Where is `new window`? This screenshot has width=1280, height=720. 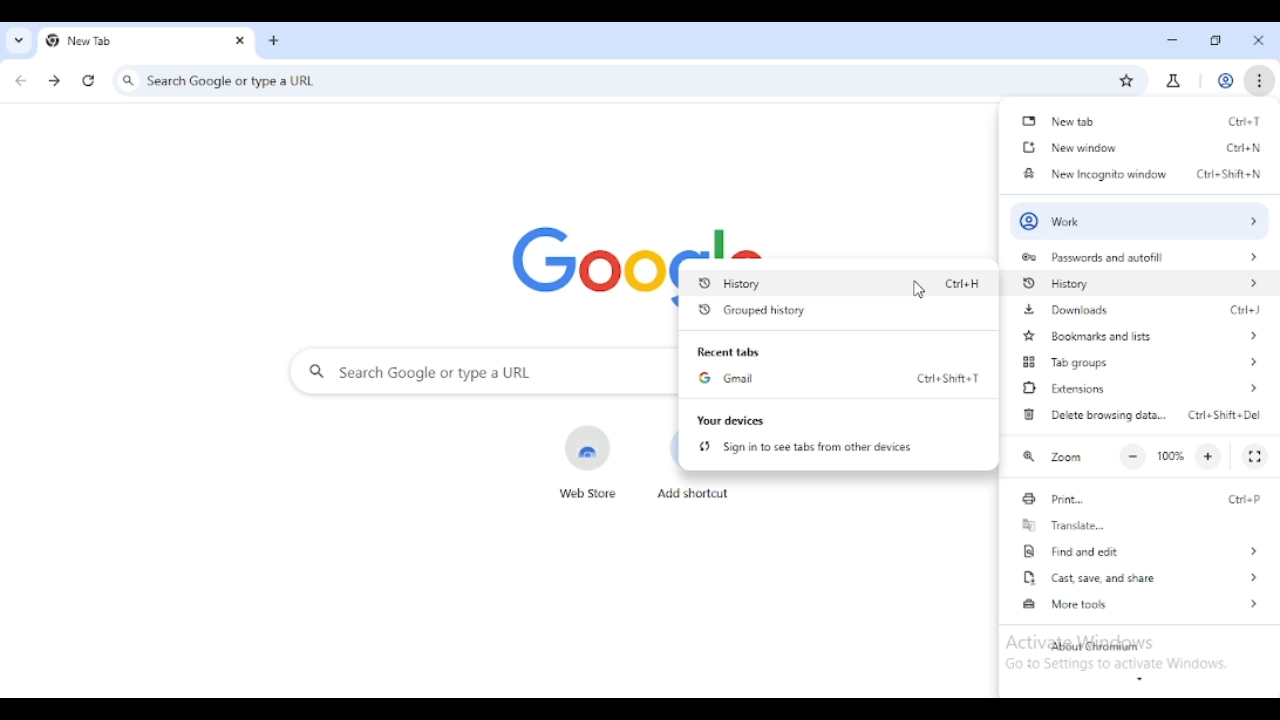 new window is located at coordinates (1066, 147).